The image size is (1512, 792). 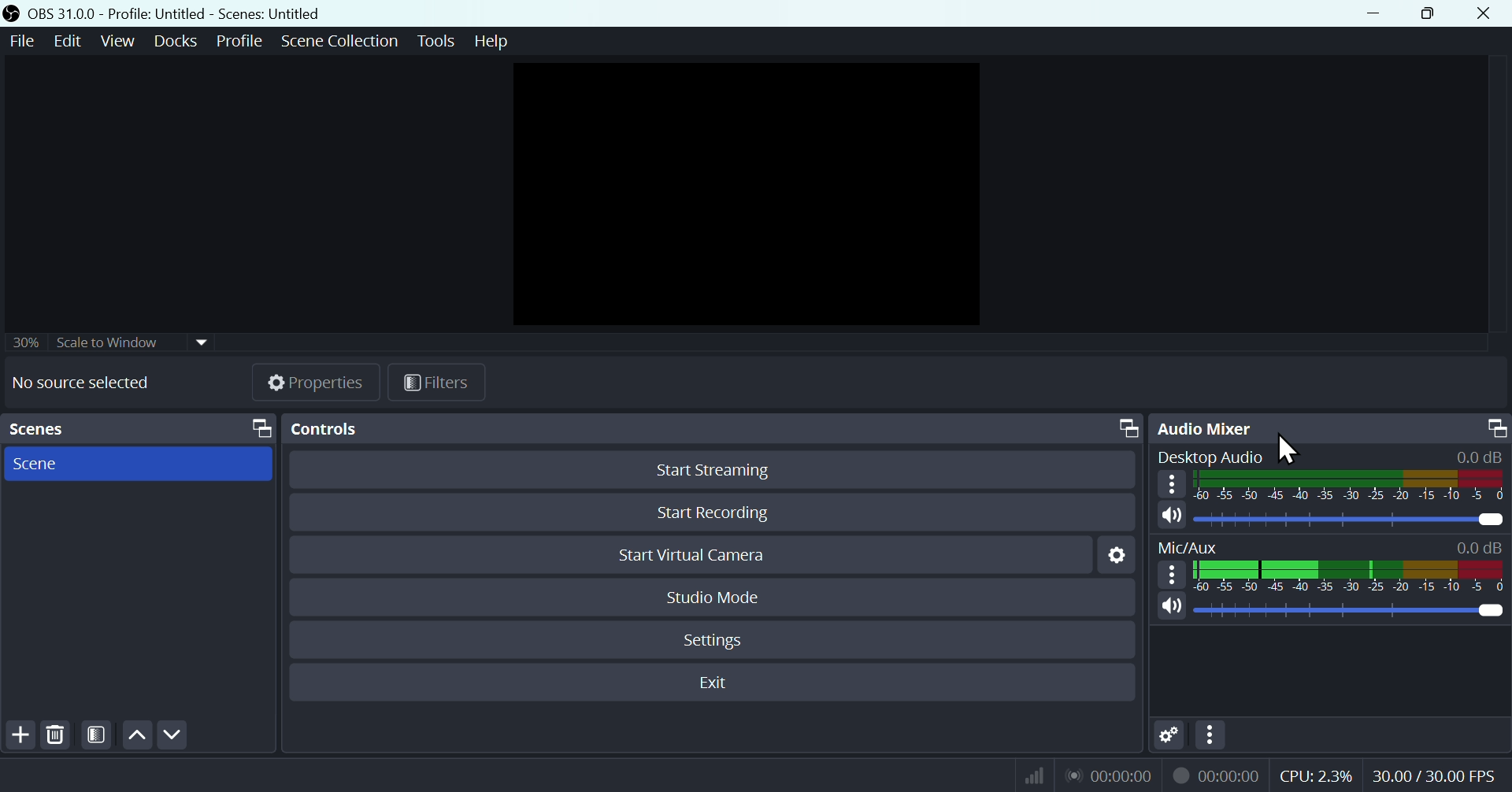 I want to click on Mic/Aux, so click(x=1188, y=546).